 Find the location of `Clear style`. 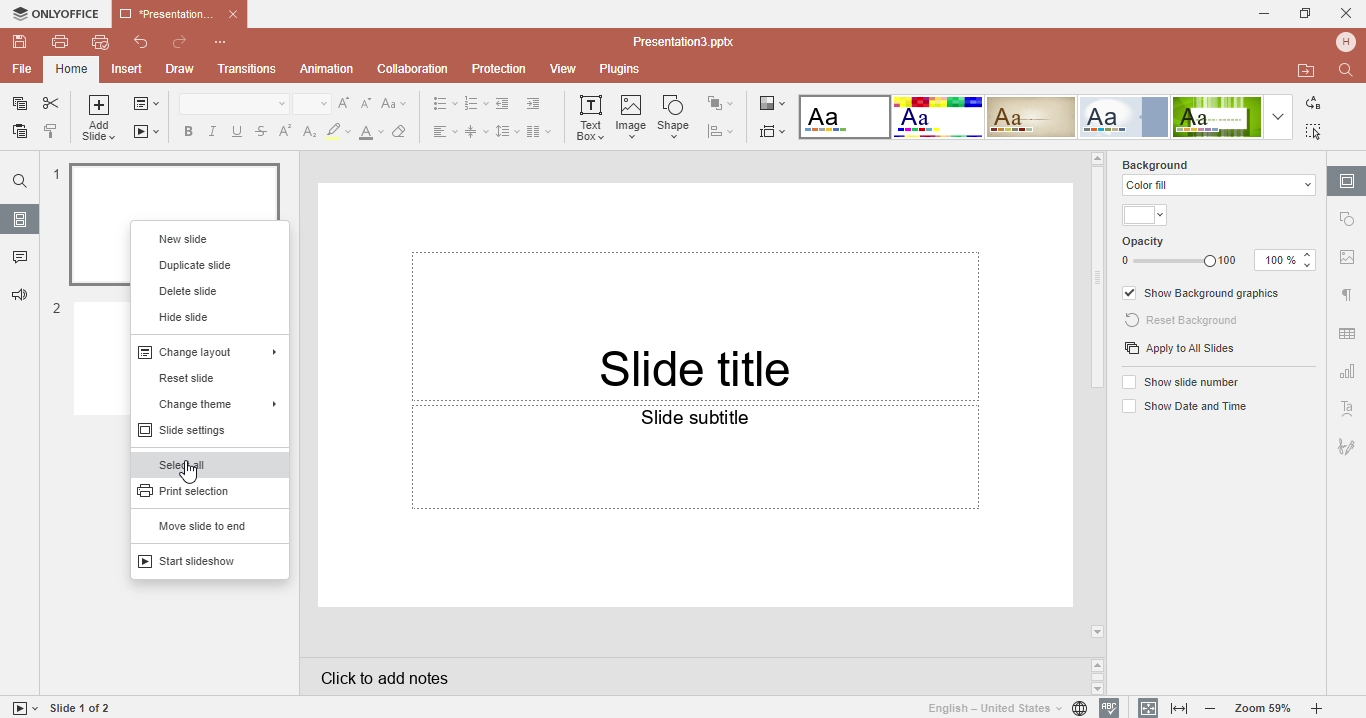

Clear style is located at coordinates (403, 130).